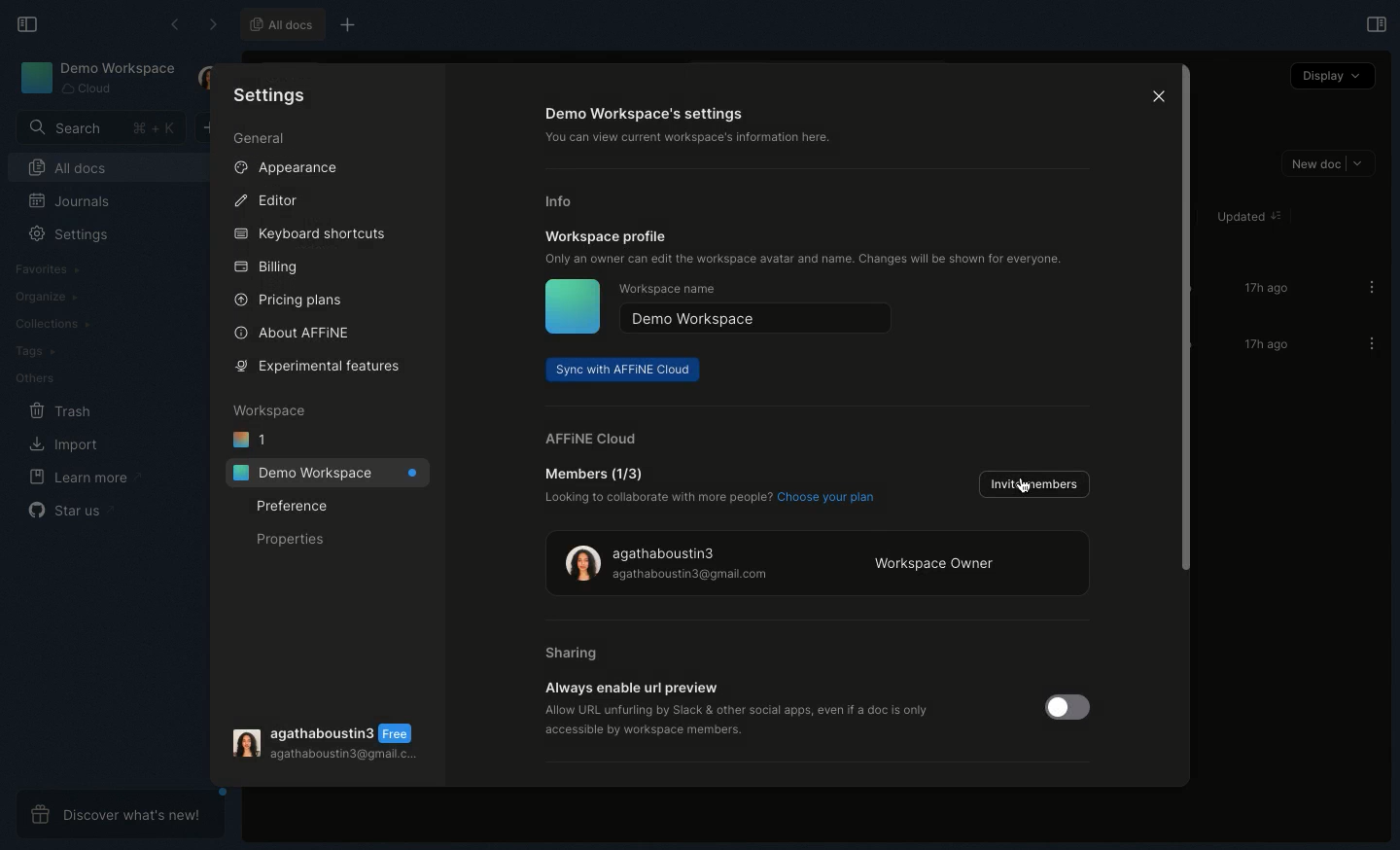 The width and height of the screenshot is (1400, 850). Describe the element at coordinates (284, 165) in the screenshot. I see `Appearance` at that location.